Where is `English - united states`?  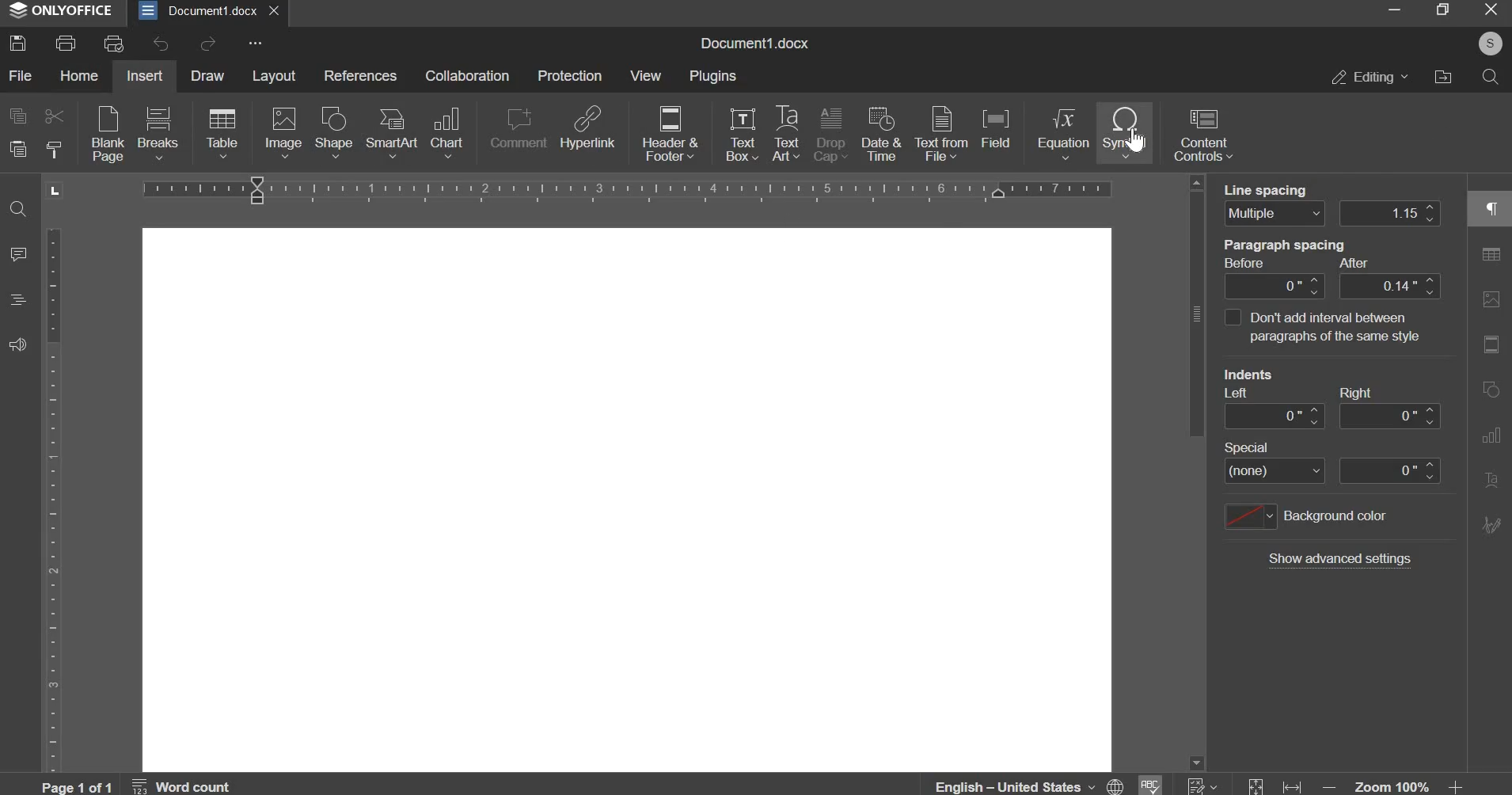
English - united states is located at coordinates (1029, 786).